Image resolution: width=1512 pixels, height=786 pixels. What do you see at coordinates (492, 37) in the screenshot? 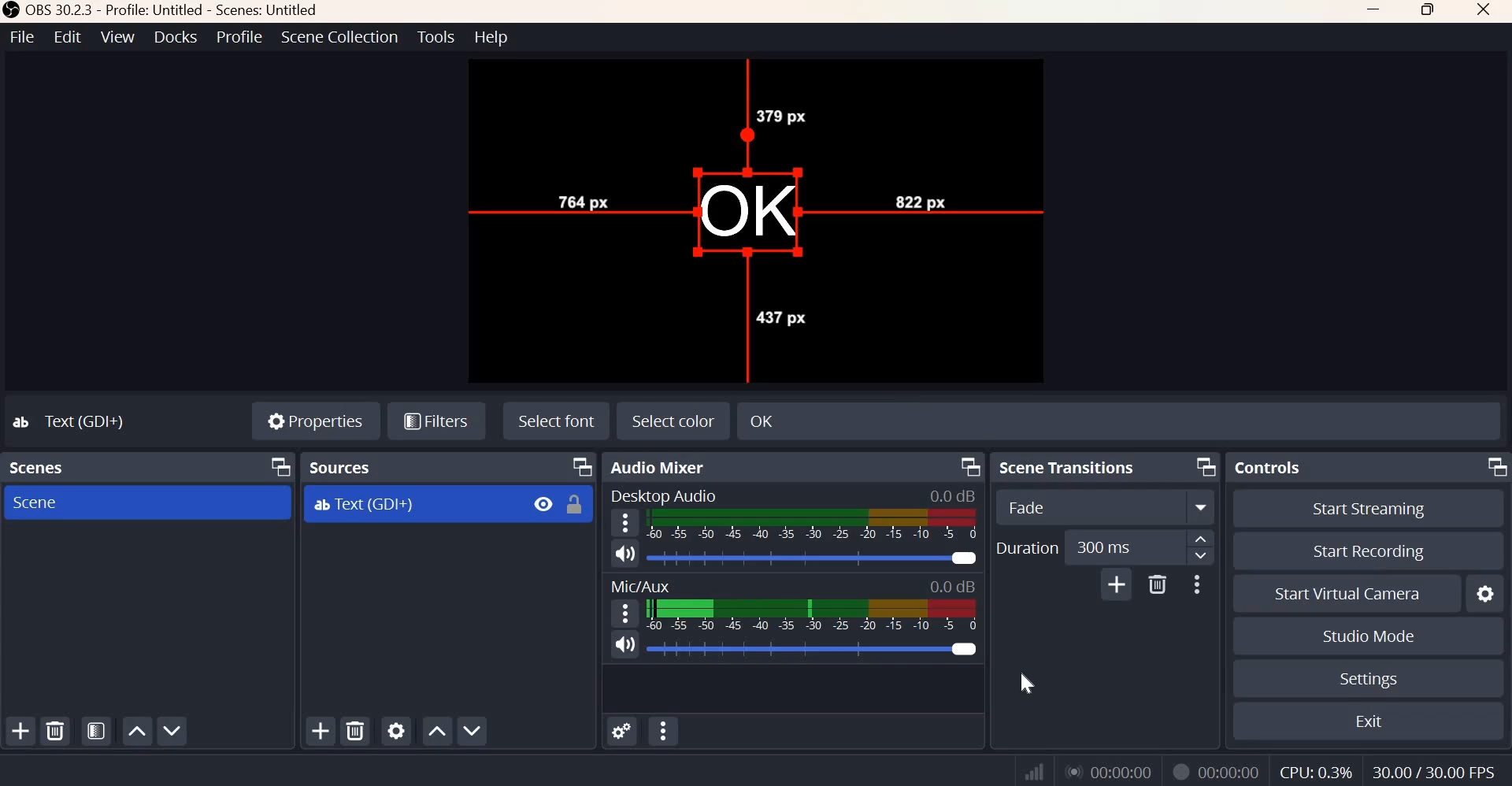
I see `Help` at bounding box center [492, 37].